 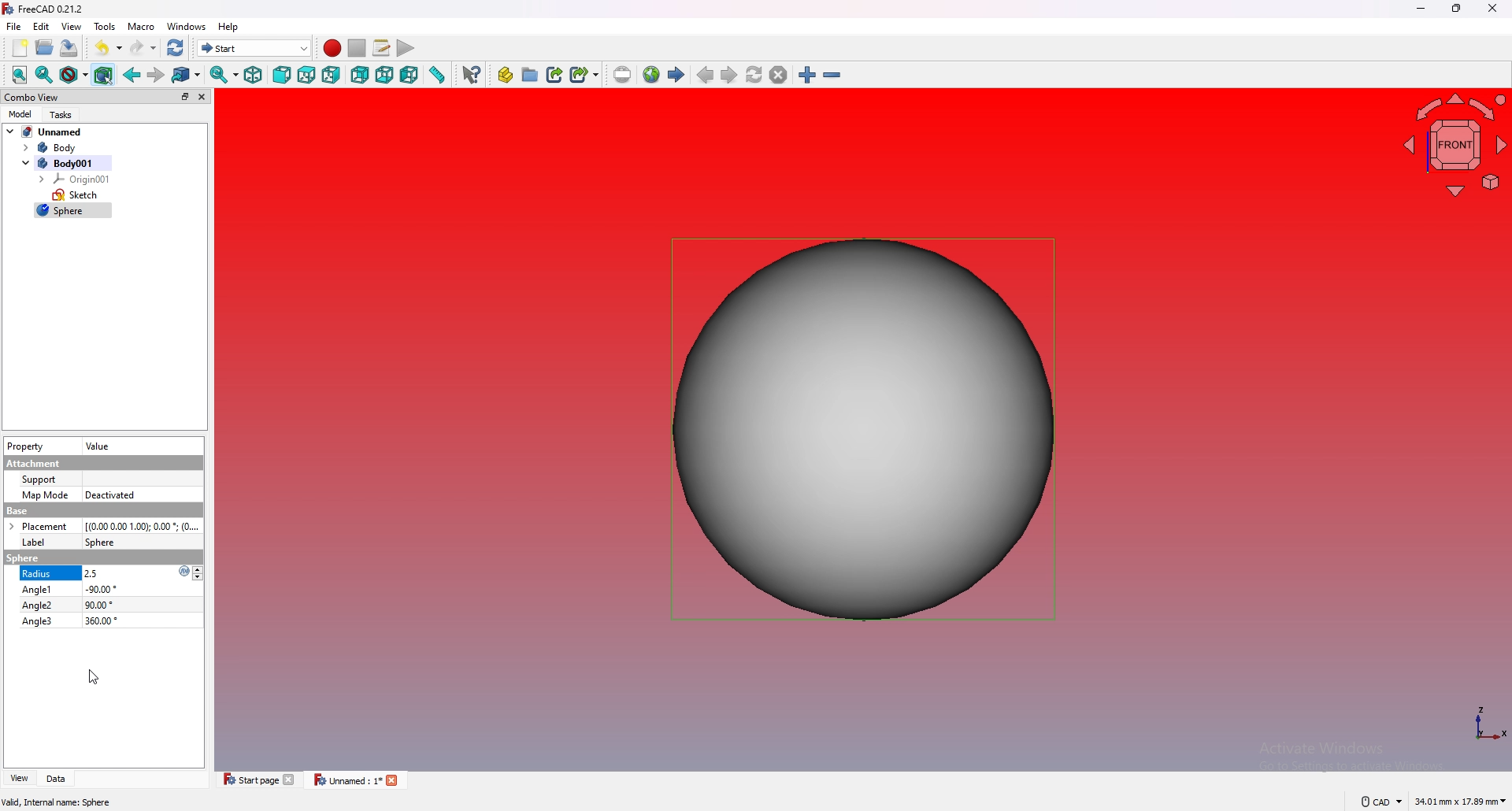 I want to click on next page, so click(x=729, y=74).